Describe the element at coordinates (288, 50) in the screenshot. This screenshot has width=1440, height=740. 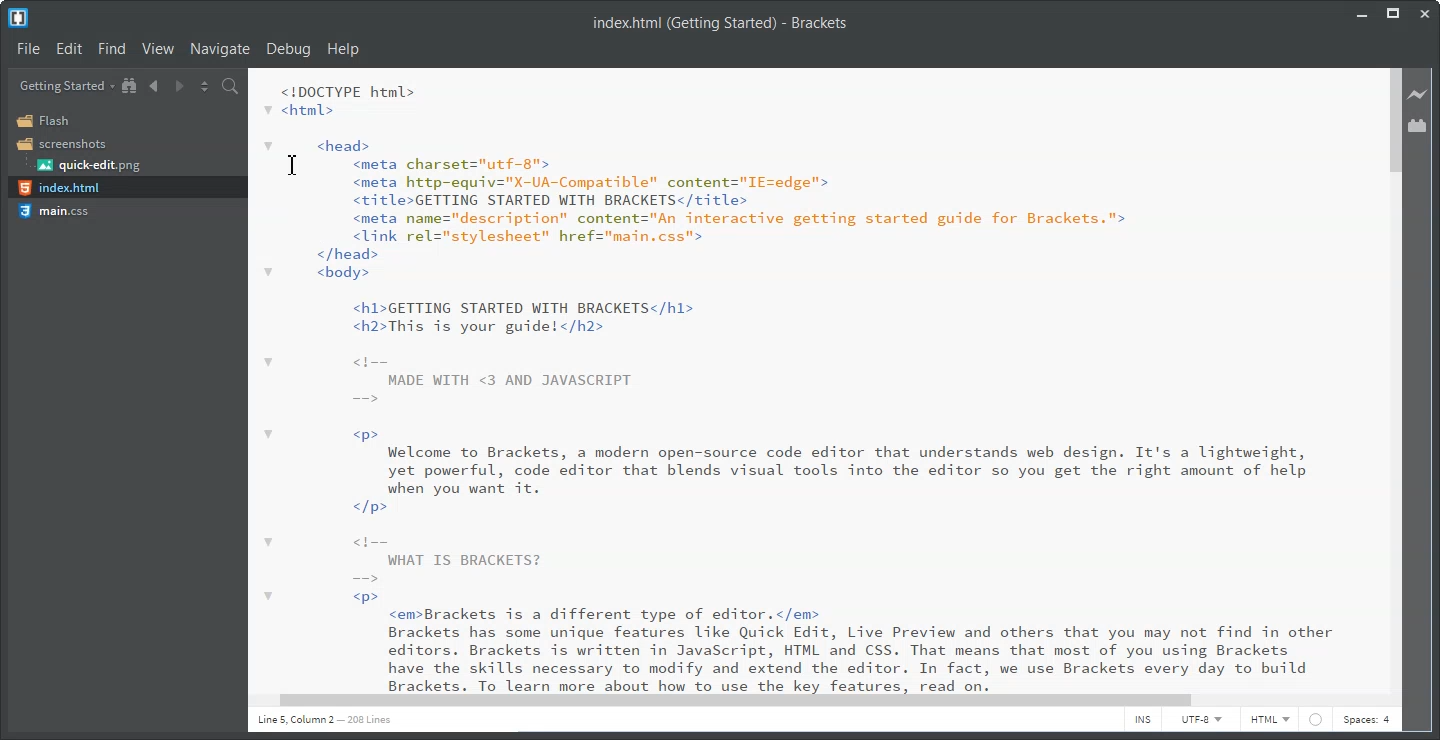
I see `Debug` at that location.